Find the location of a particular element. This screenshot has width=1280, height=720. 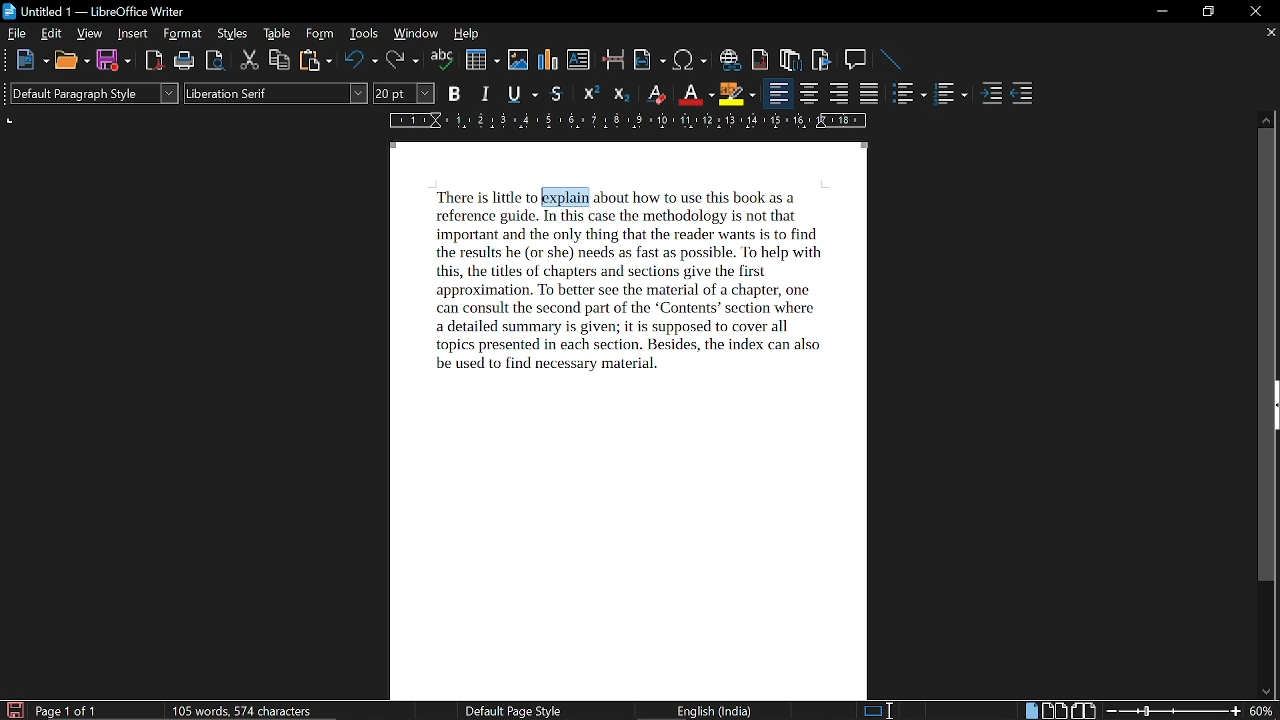

help is located at coordinates (464, 34).